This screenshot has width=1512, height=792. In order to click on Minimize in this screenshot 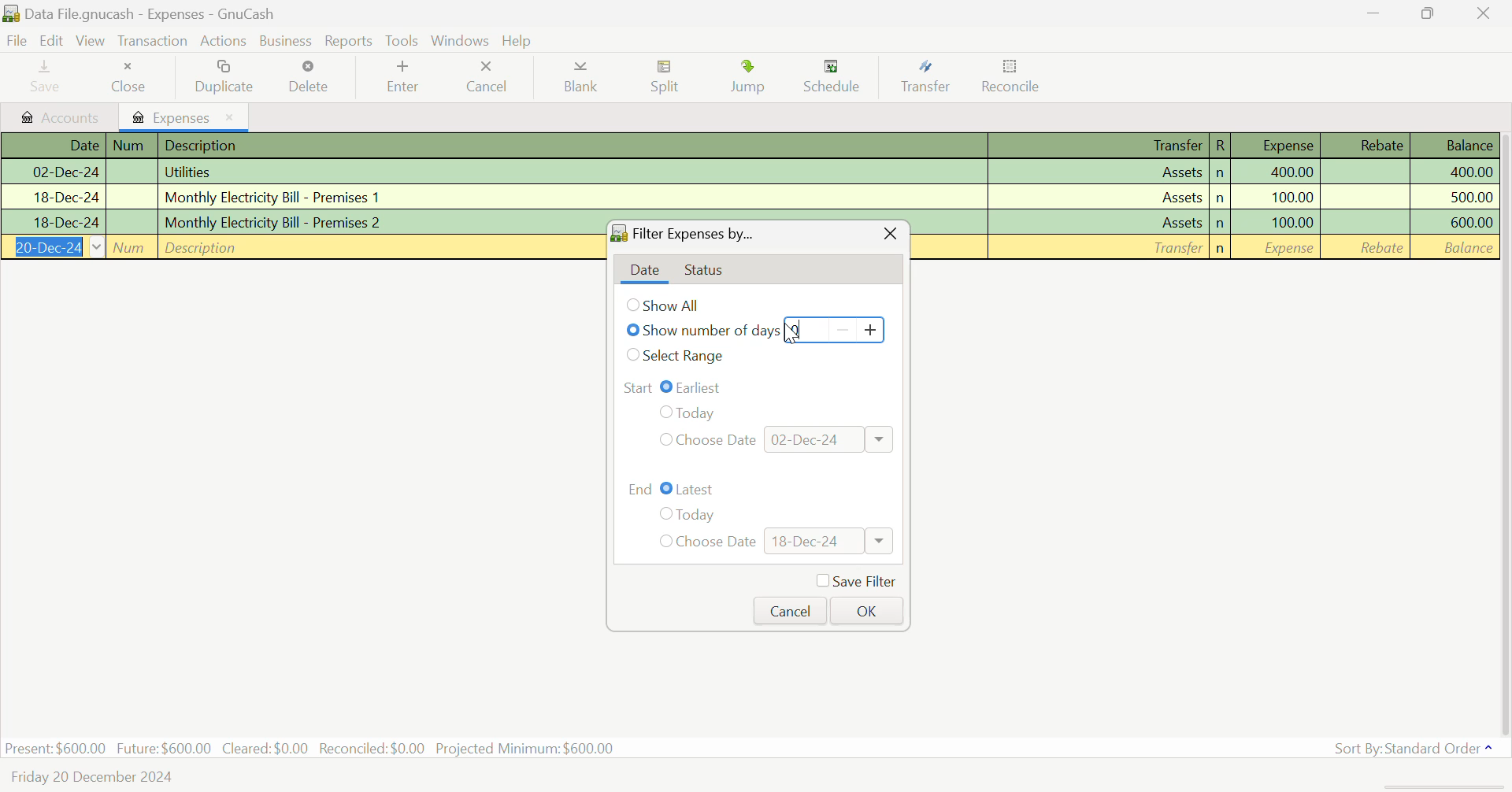, I will do `click(1431, 15)`.